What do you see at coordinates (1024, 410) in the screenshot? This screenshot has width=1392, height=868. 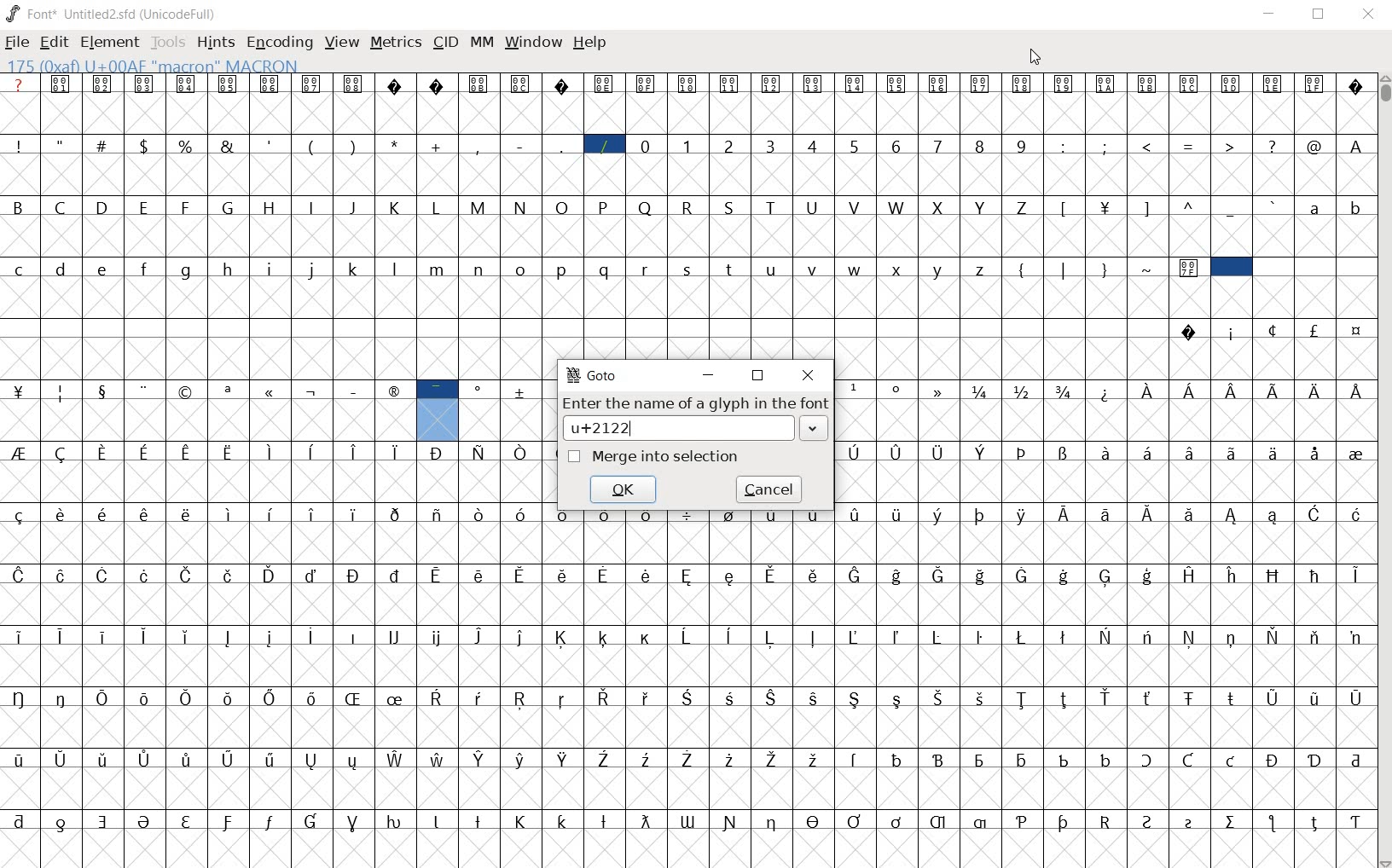 I see `mathematical fractions` at bounding box center [1024, 410].